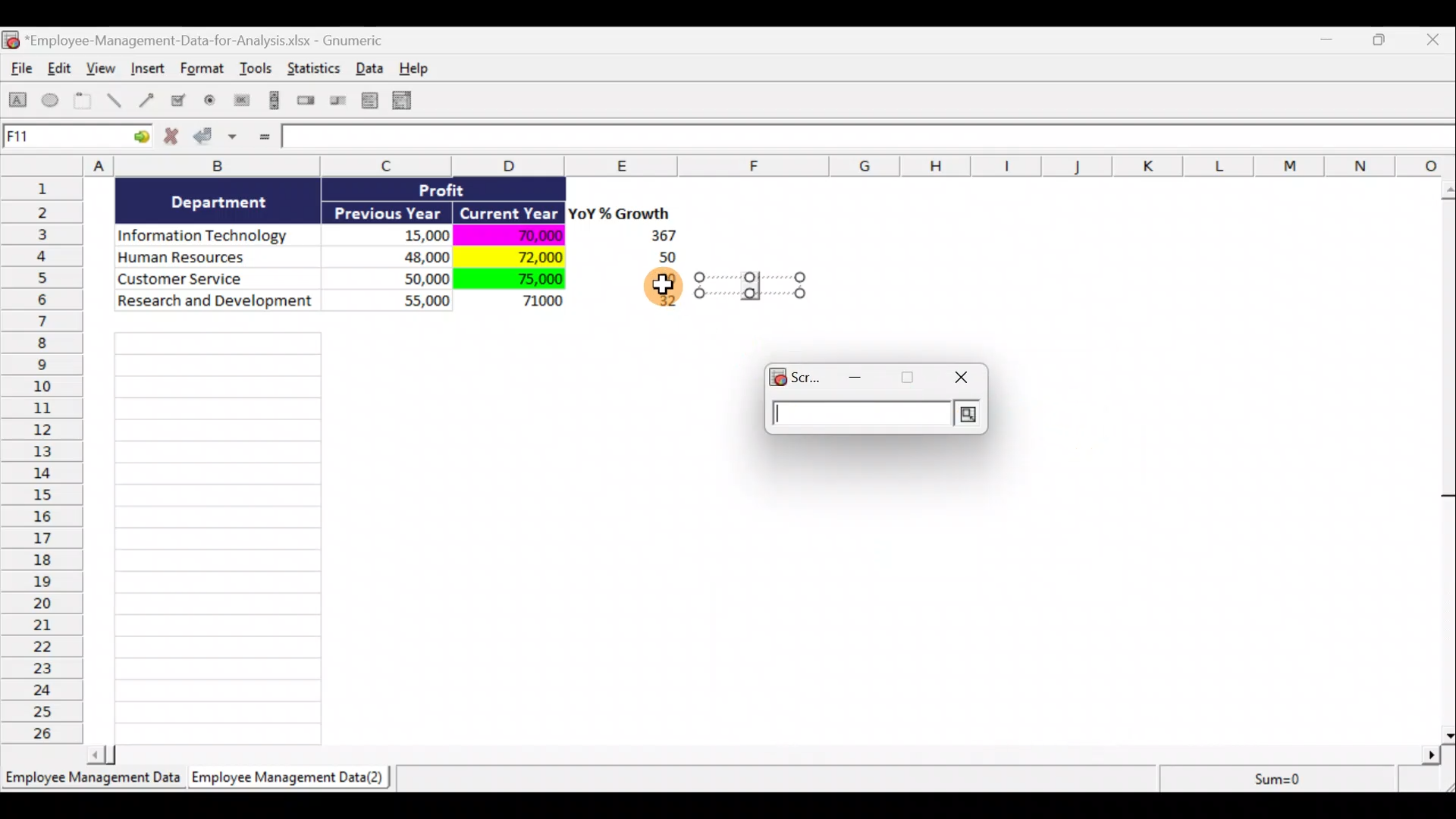  Describe the element at coordinates (795, 375) in the screenshot. I see `Scr...` at that location.